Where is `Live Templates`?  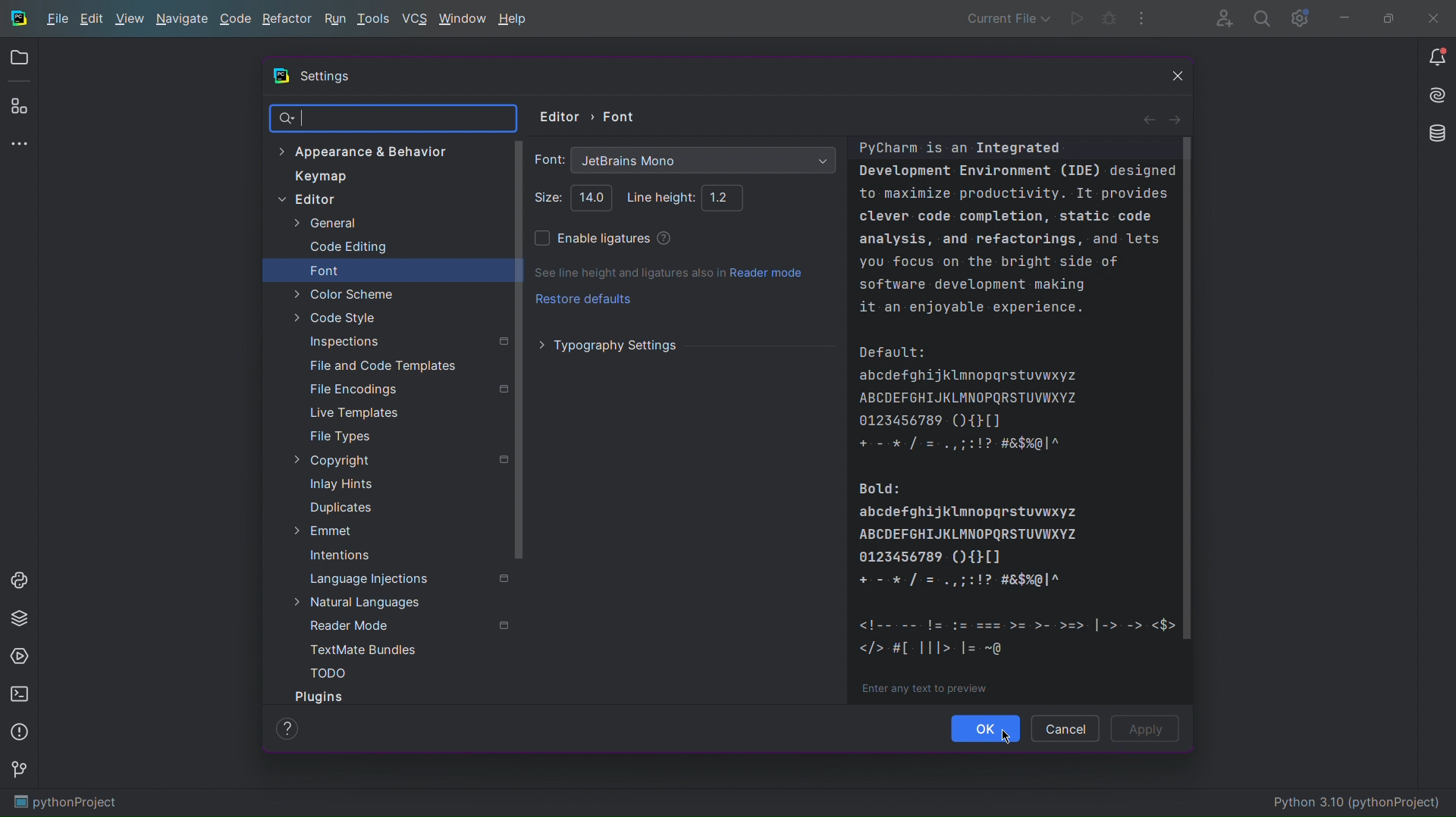
Live Templates is located at coordinates (353, 412).